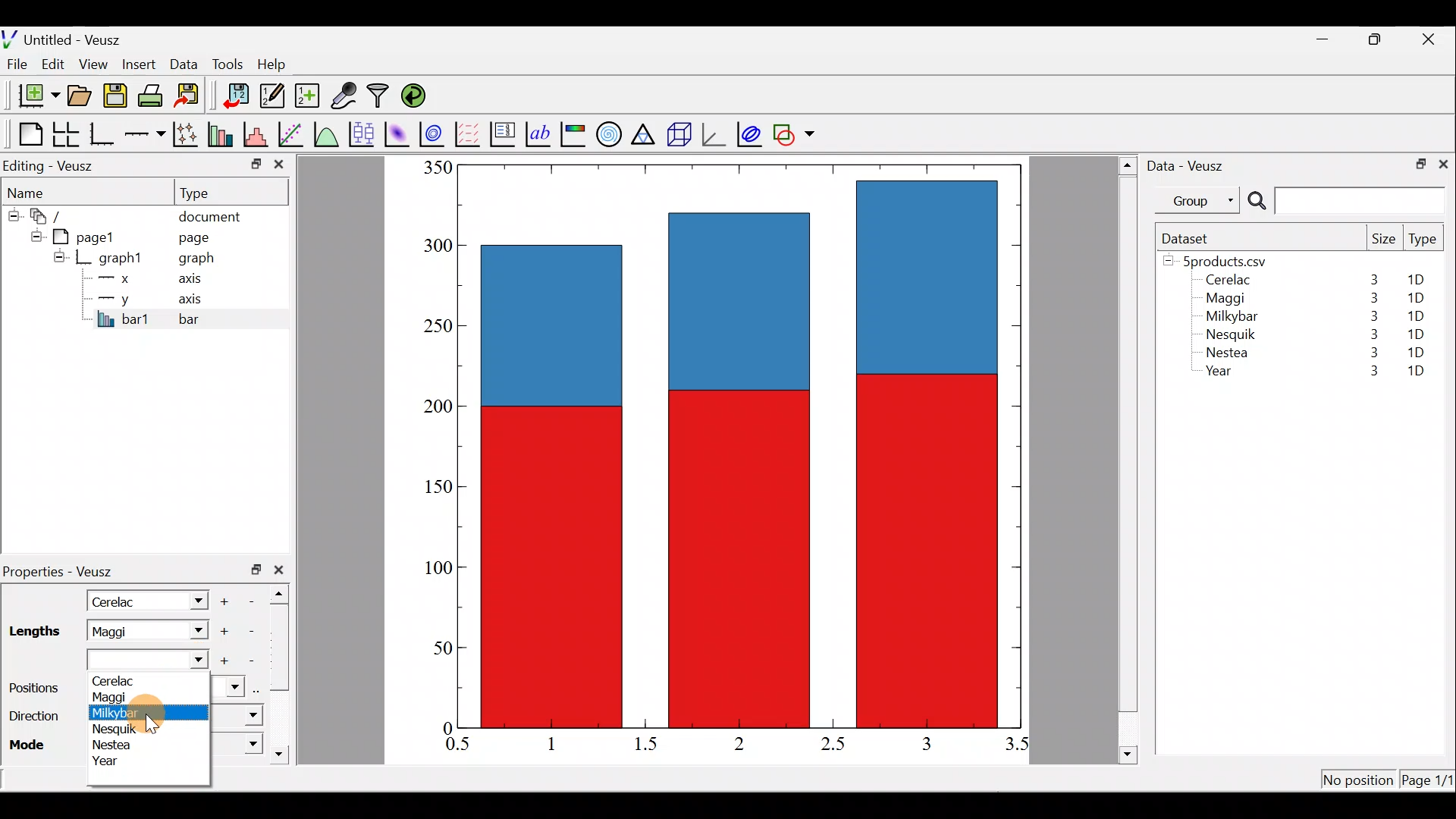 The width and height of the screenshot is (1456, 819). Describe the element at coordinates (327, 133) in the screenshot. I see `Plot a function` at that location.